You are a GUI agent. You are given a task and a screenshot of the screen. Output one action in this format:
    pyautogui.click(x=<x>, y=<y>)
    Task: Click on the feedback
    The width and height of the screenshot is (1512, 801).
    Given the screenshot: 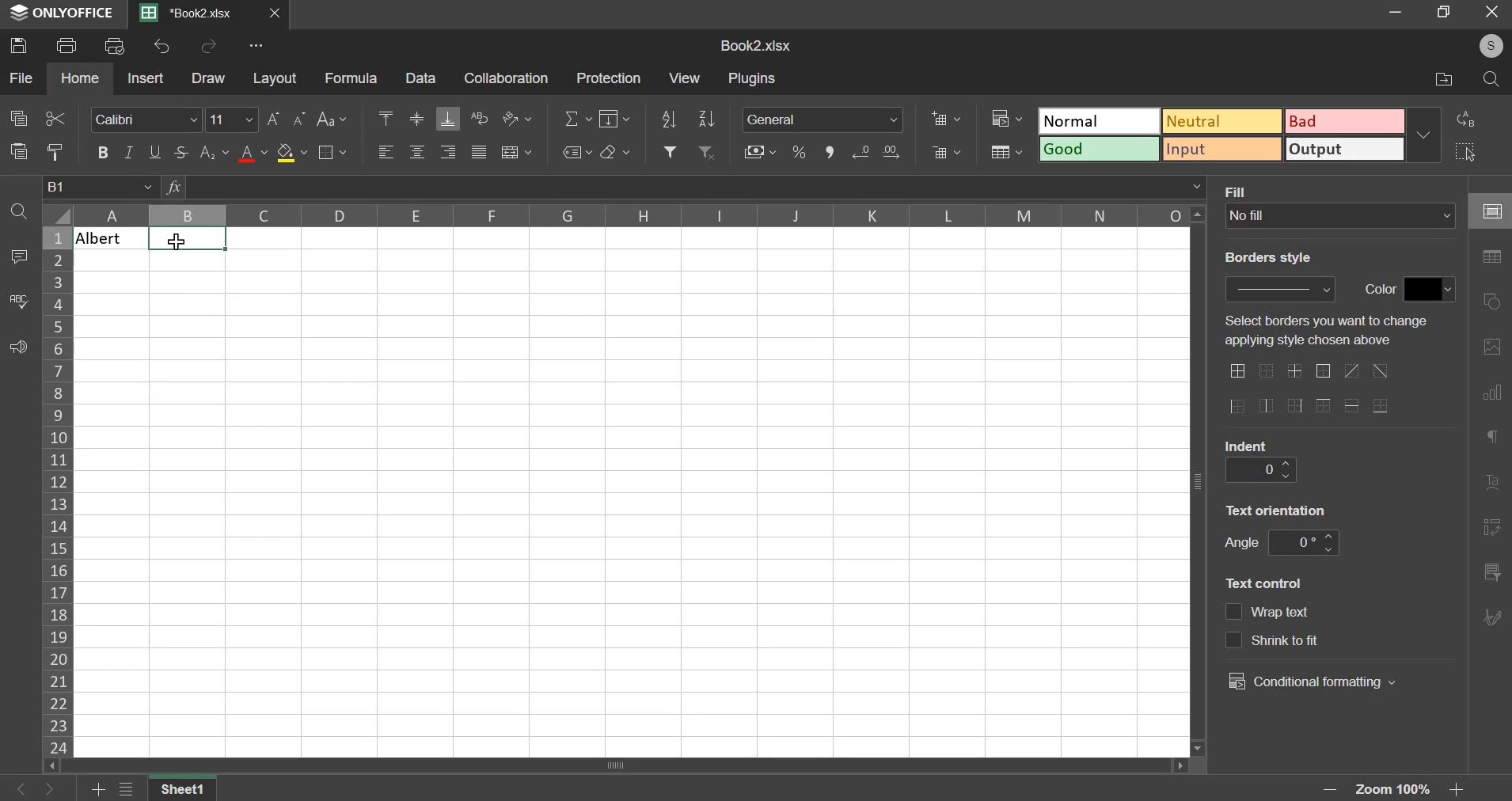 What is the action you would take?
    pyautogui.click(x=17, y=346)
    